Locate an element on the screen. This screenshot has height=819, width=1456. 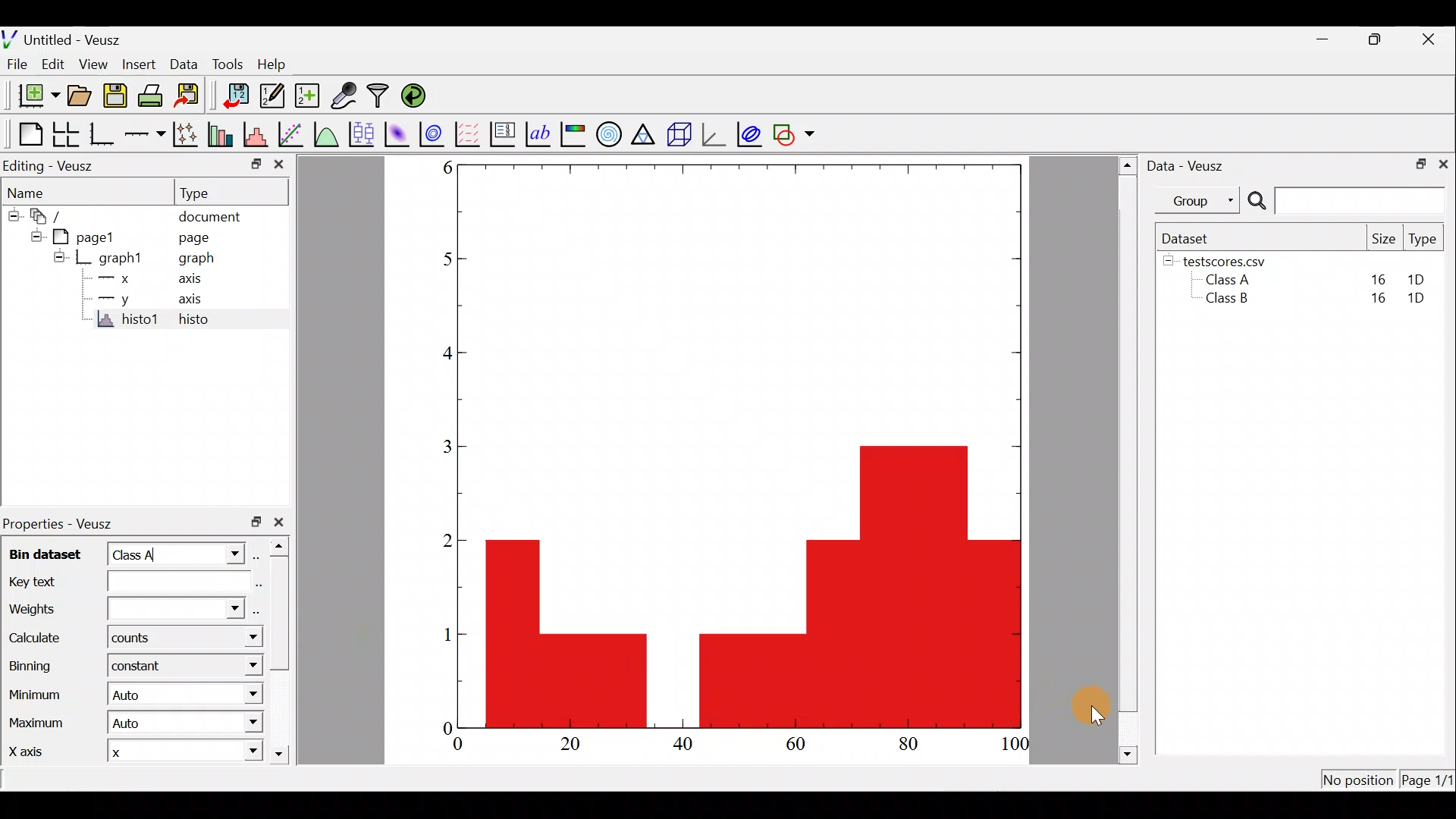
Bin dataset dropdown is located at coordinates (221, 554).